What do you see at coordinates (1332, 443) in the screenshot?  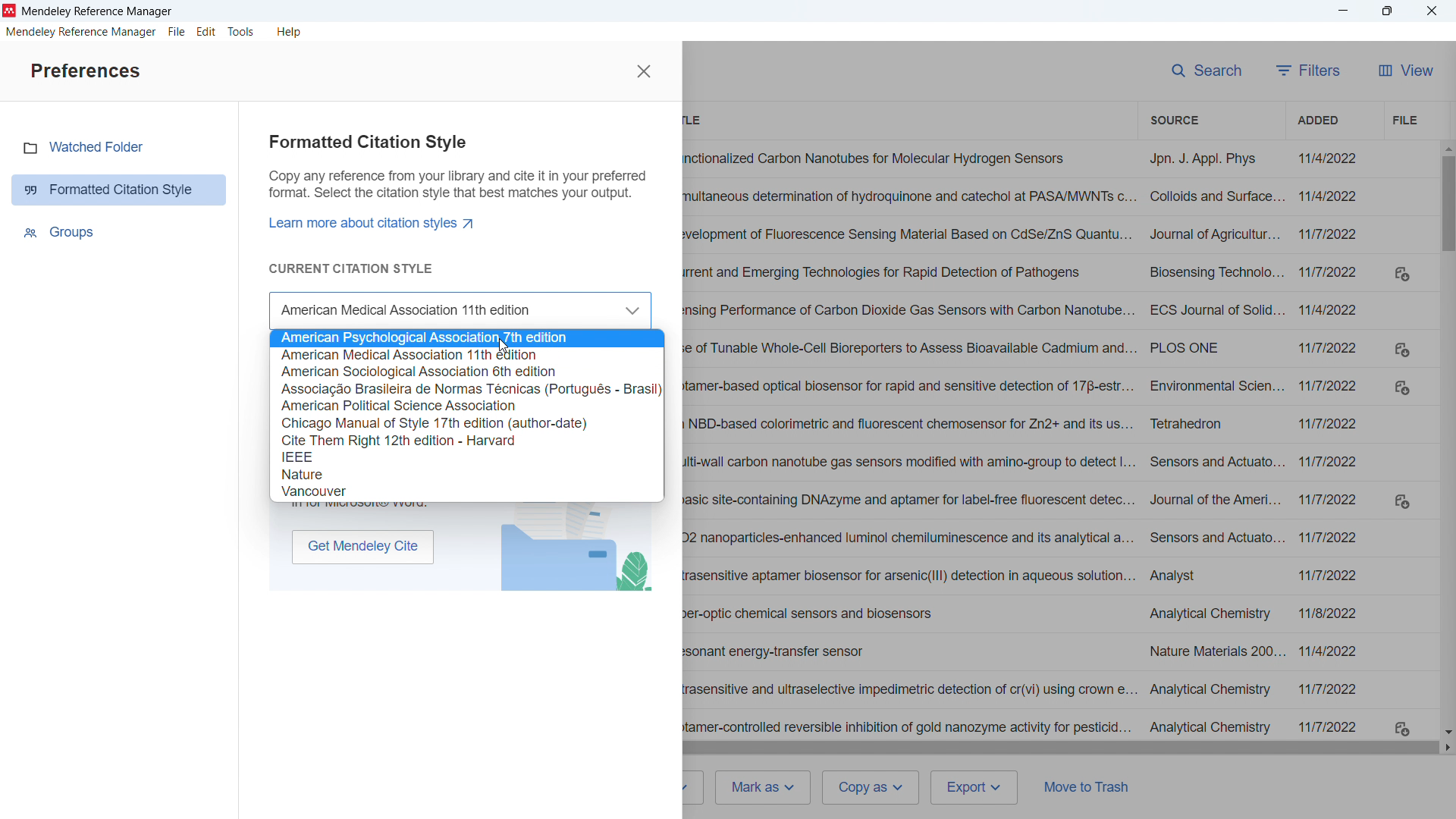 I see `Date of addition of individual entries` at bounding box center [1332, 443].